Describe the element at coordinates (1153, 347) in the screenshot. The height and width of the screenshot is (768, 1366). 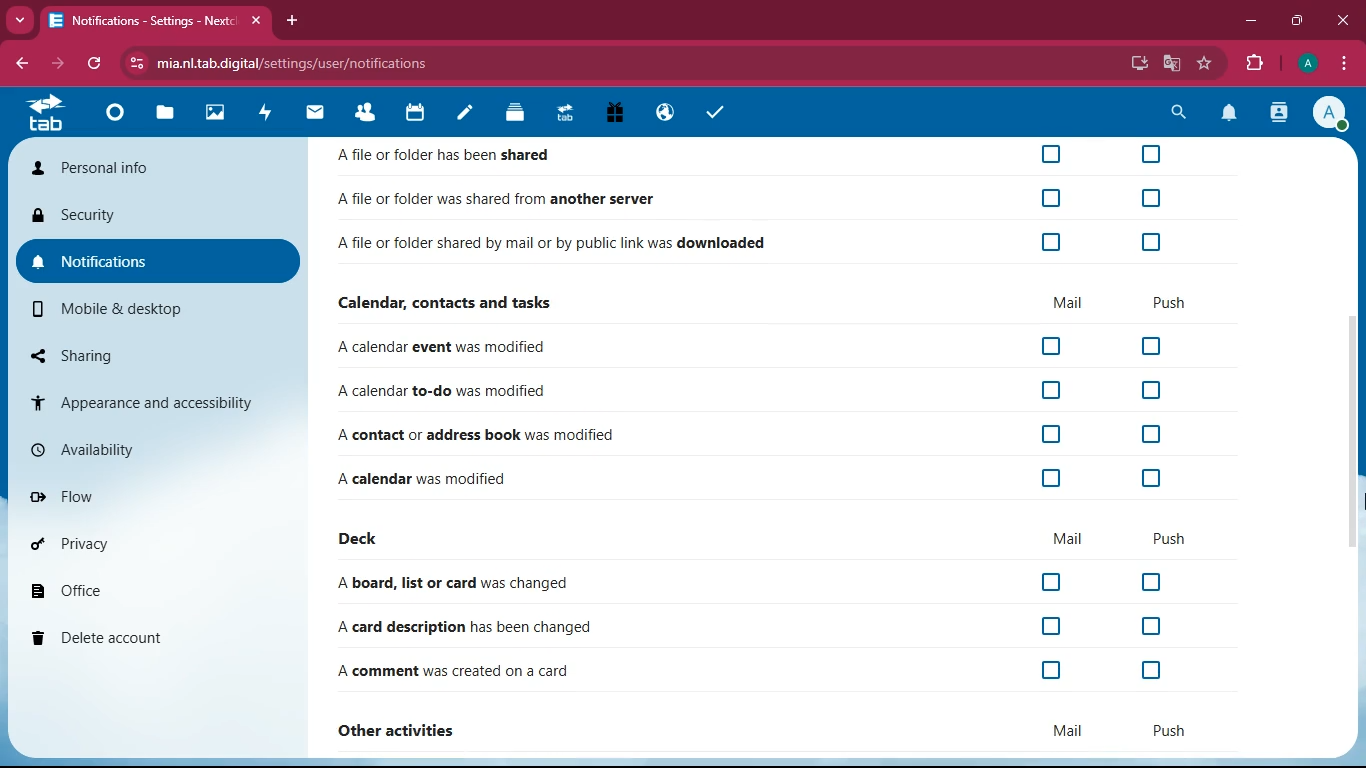
I see `off` at that location.